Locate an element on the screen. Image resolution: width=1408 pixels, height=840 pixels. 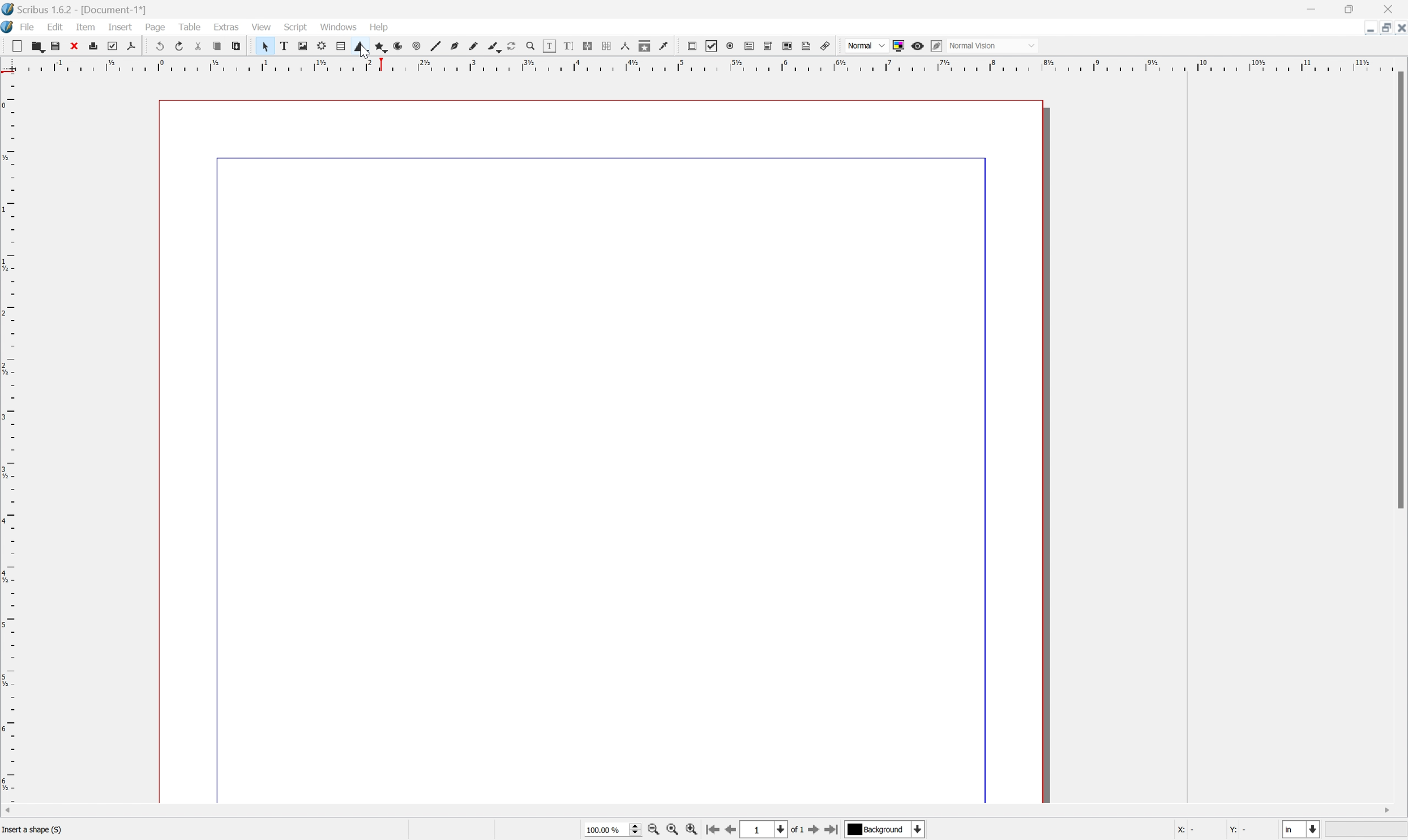
Scroll Right is located at coordinates (1384, 811).